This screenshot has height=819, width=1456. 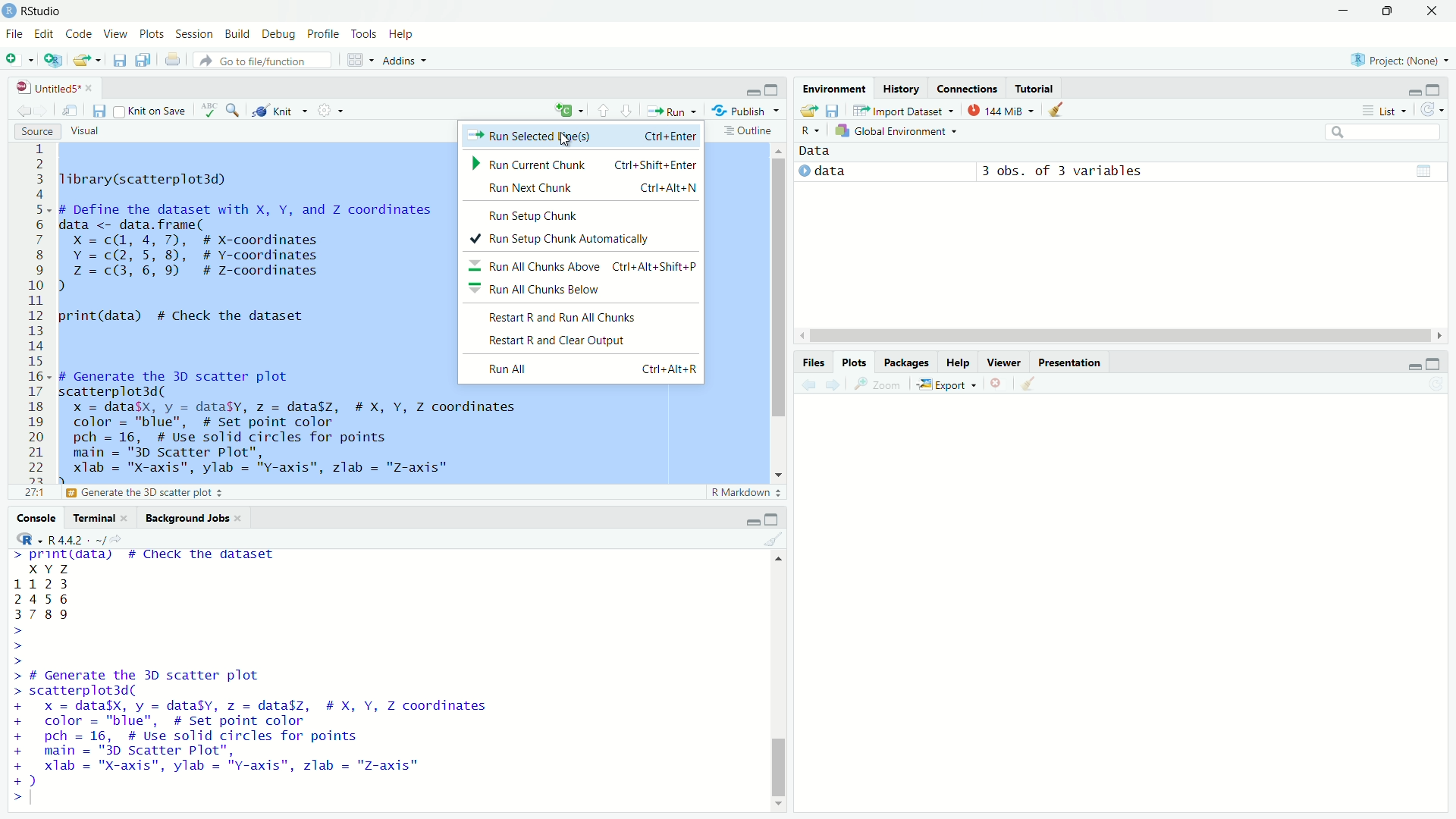 What do you see at coordinates (773, 89) in the screenshot?
I see `maximize` at bounding box center [773, 89].